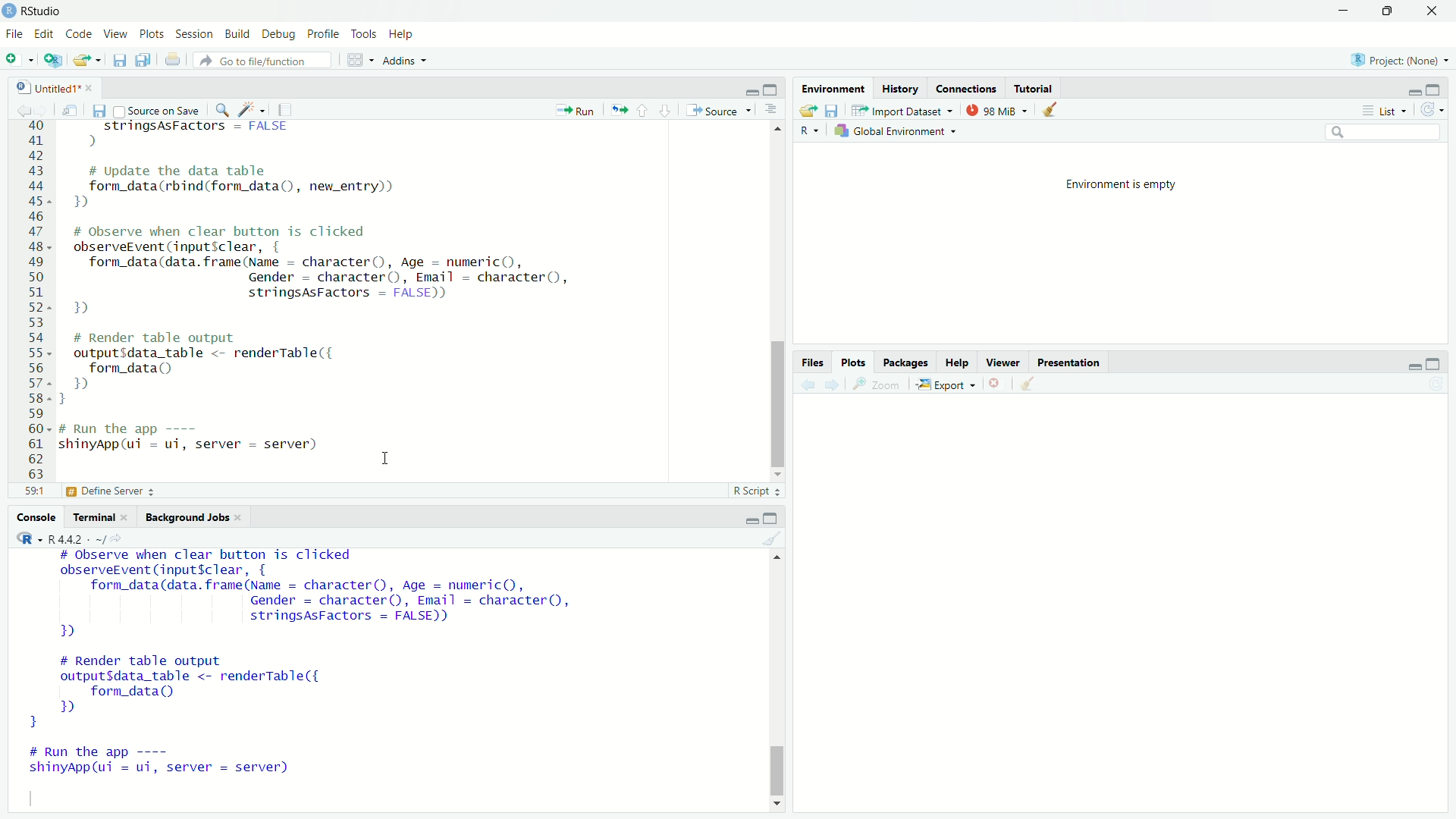  Describe the element at coordinates (1003, 364) in the screenshot. I see `viewer` at that location.